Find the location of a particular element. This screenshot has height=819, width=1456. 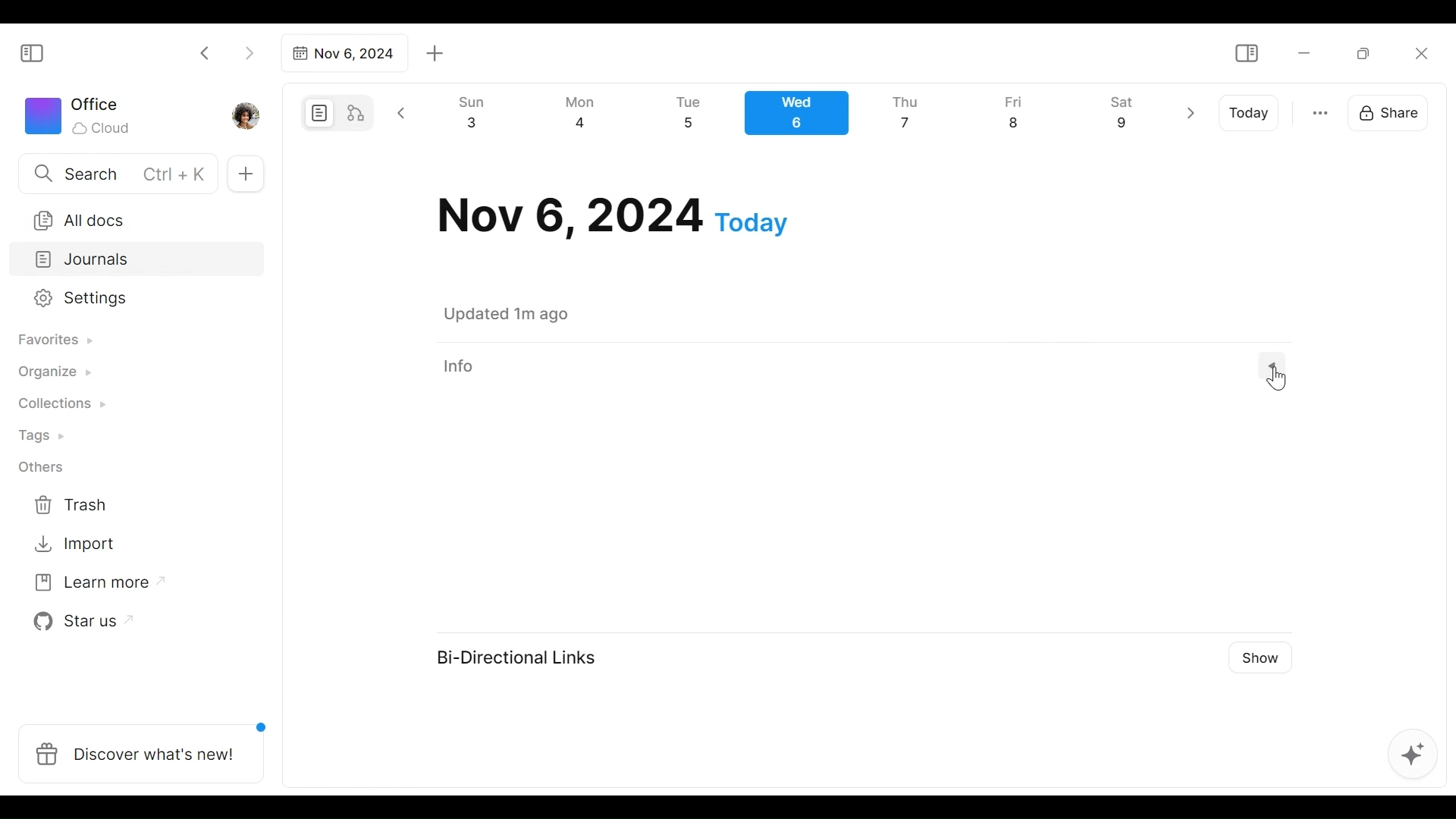

Minimize is located at coordinates (1304, 52).